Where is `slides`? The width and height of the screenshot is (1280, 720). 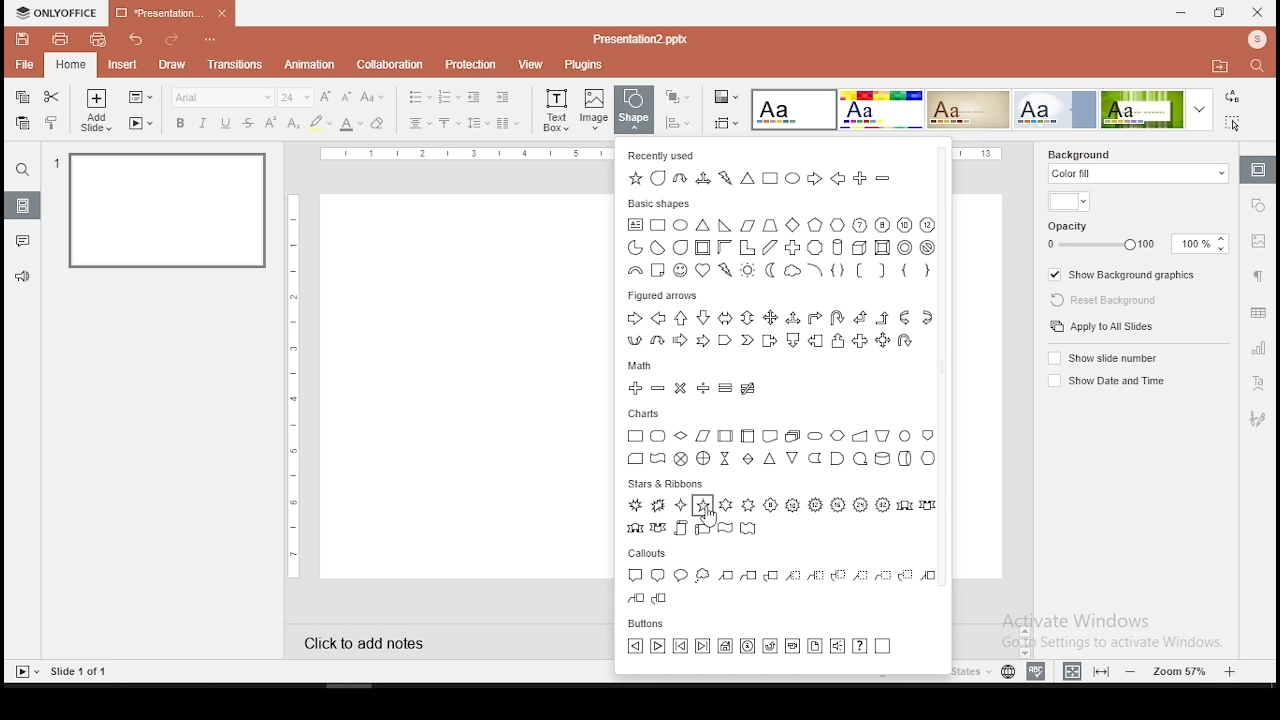
slides is located at coordinates (21, 205).